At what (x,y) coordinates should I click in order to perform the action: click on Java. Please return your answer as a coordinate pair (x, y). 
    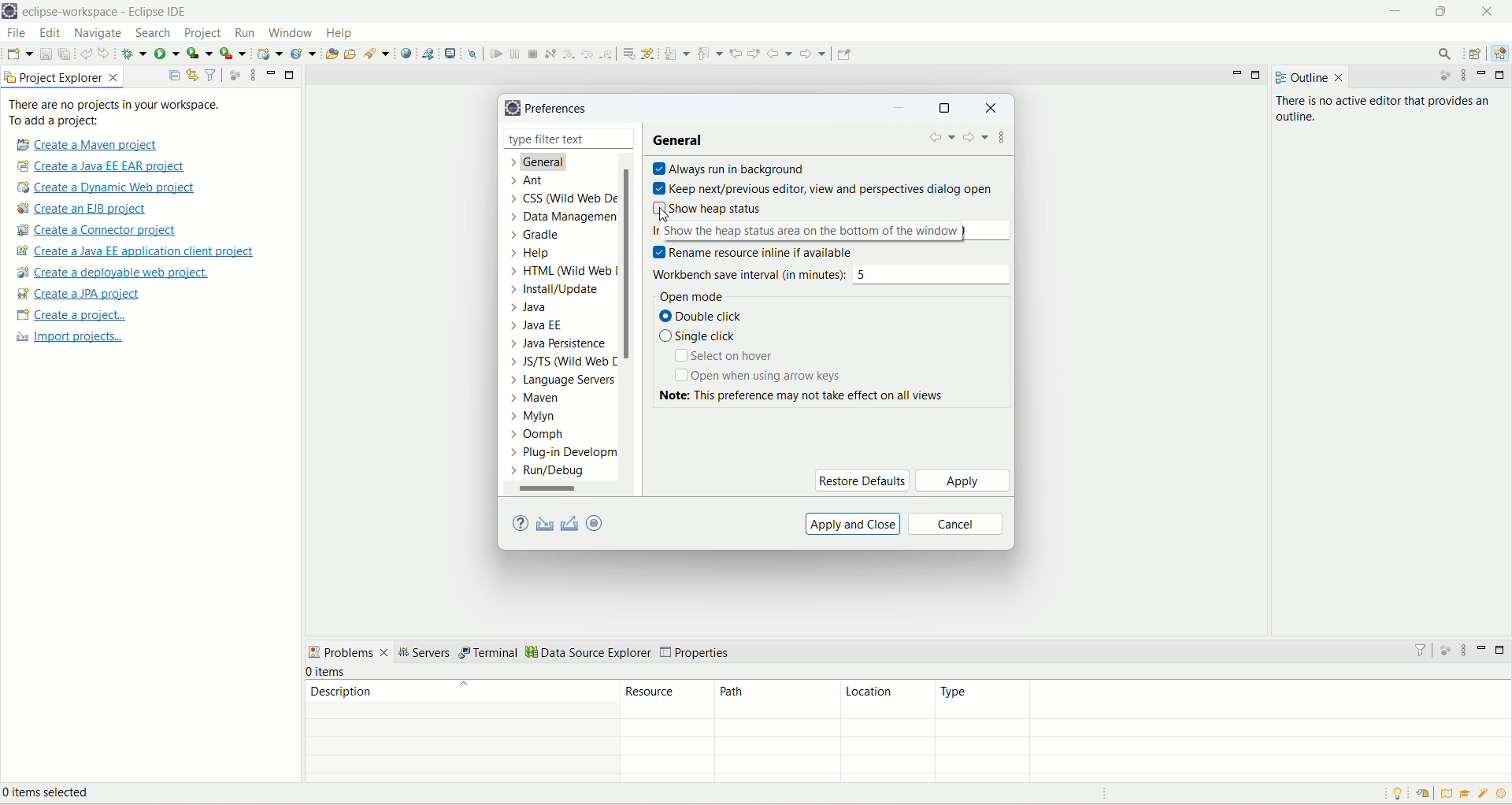
    Looking at the image, I should click on (535, 309).